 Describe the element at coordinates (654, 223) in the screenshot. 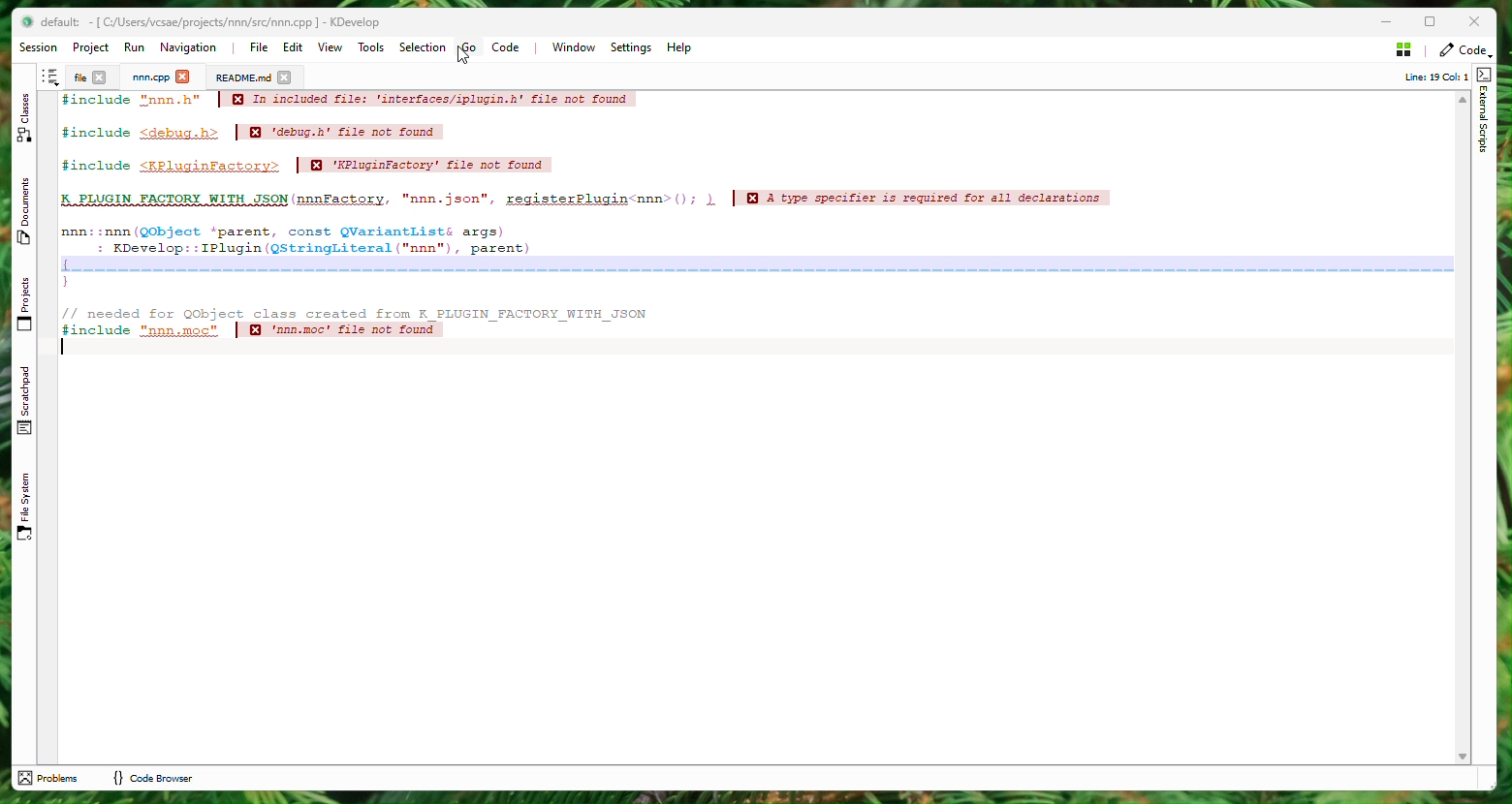

I see `Code` at that location.